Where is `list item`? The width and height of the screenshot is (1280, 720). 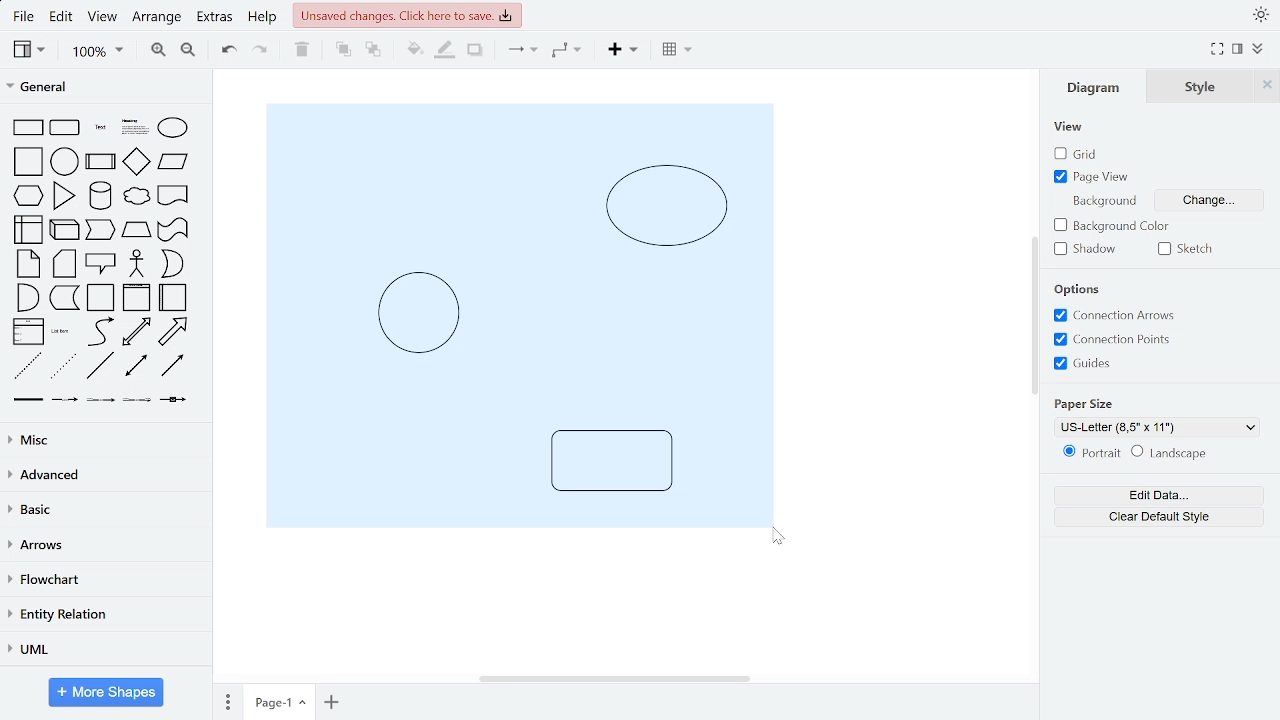
list item is located at coordinates (62, 332).